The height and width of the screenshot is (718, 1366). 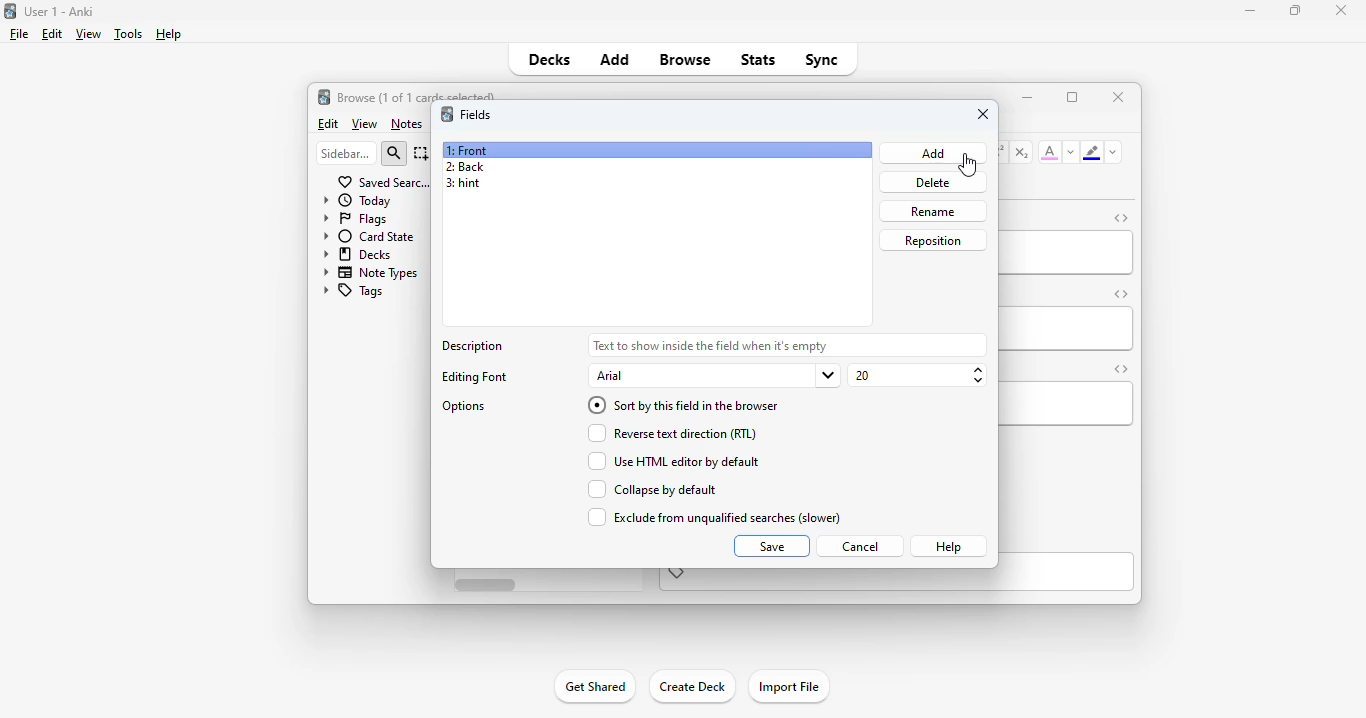 What do you see at coordinates (1027, 96) in the screenshot?
I see `minimize` at bounding box center [1027, 96].